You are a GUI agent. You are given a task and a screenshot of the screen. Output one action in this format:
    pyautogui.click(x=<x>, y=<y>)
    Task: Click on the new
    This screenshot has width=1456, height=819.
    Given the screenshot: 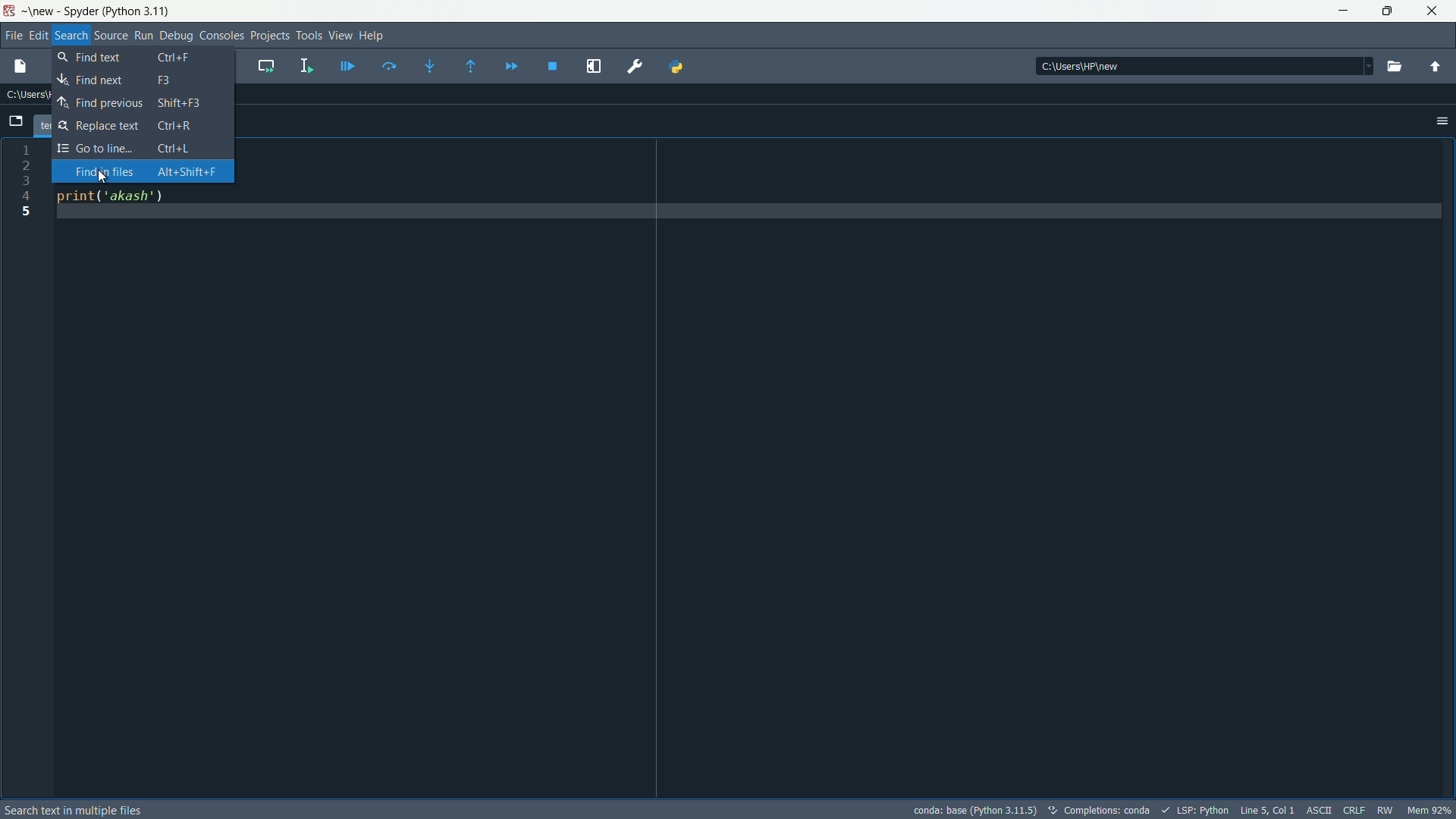 What is the action you would take?
    pyautogui.click(x=40, y=12)
    